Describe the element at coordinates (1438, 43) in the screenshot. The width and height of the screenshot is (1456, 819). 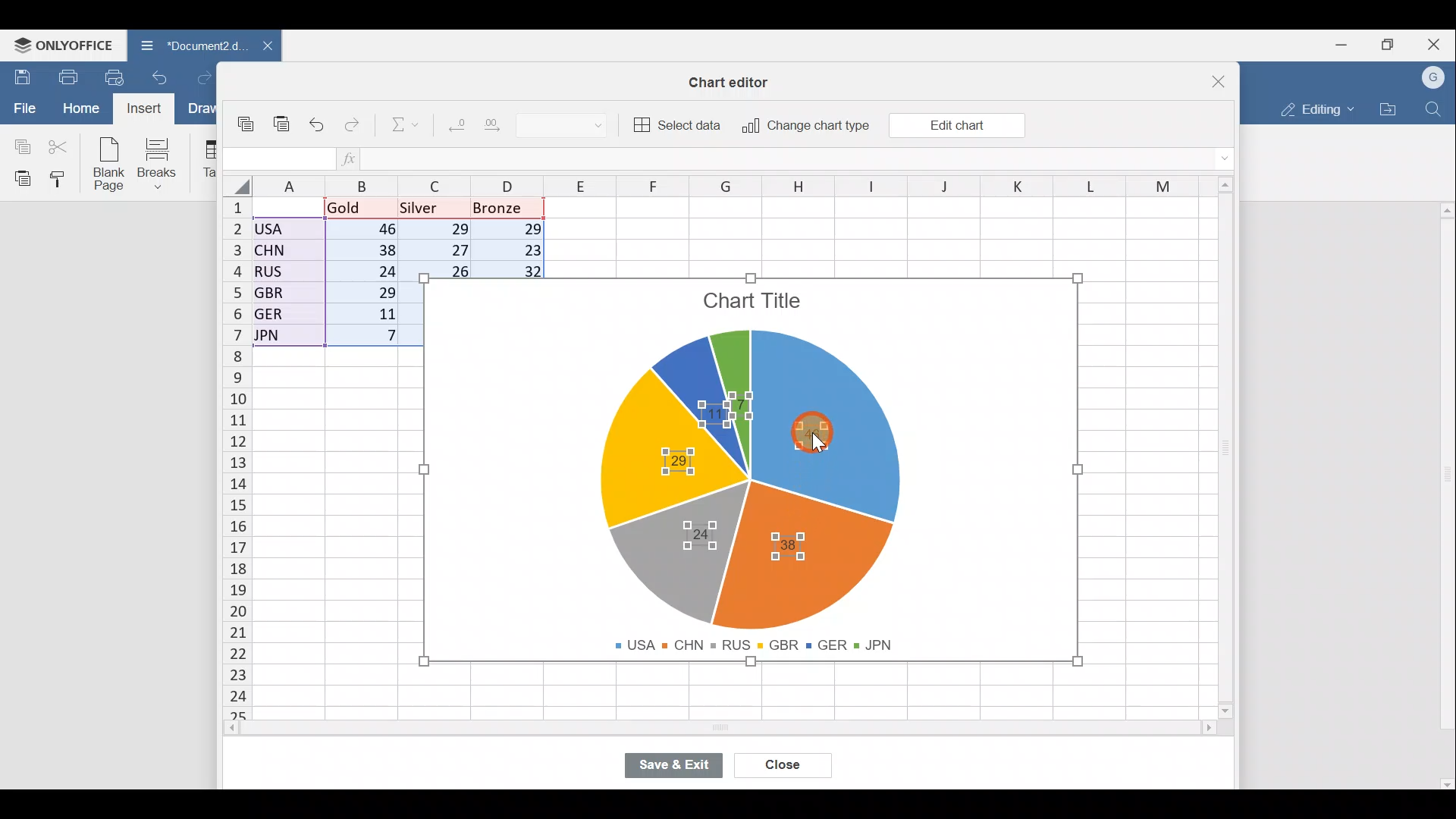
I see `Close` at that location.